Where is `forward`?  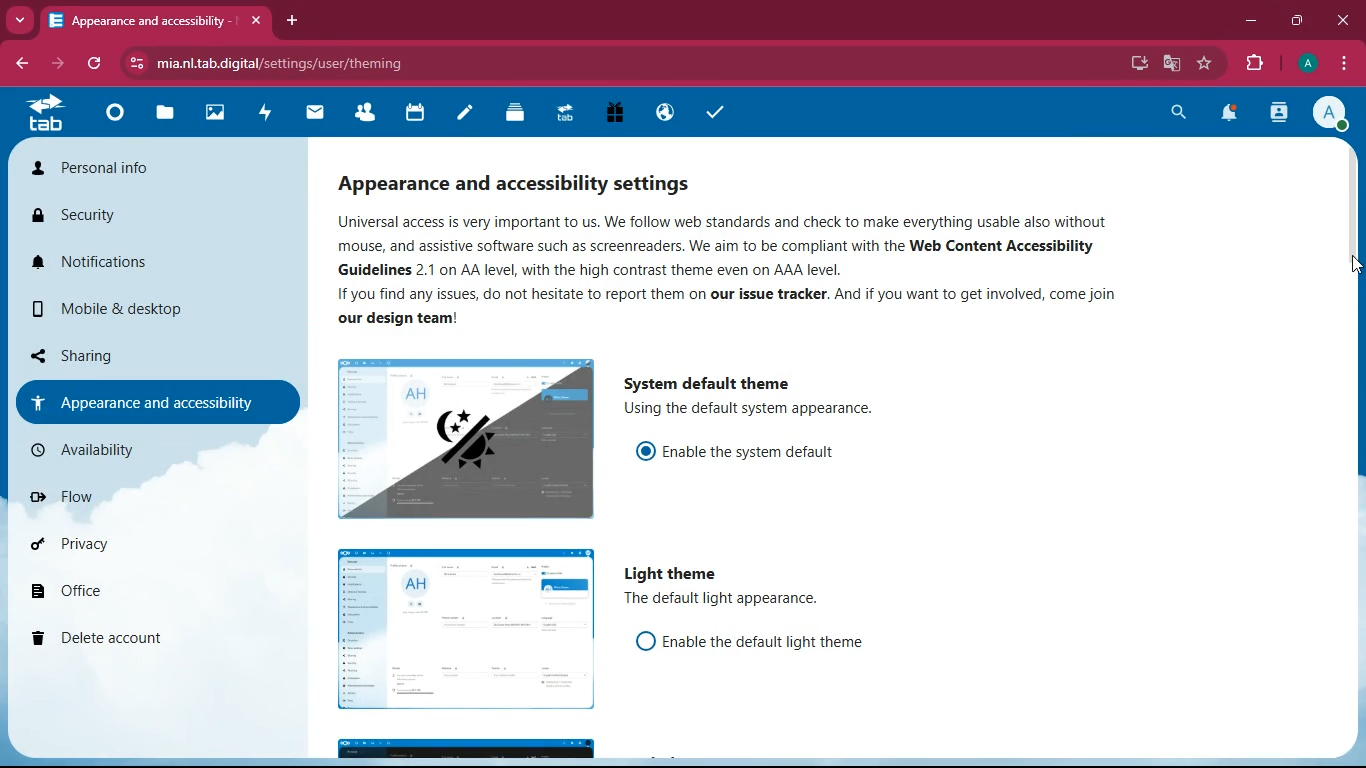 forward is located at coordinates (60, 66).